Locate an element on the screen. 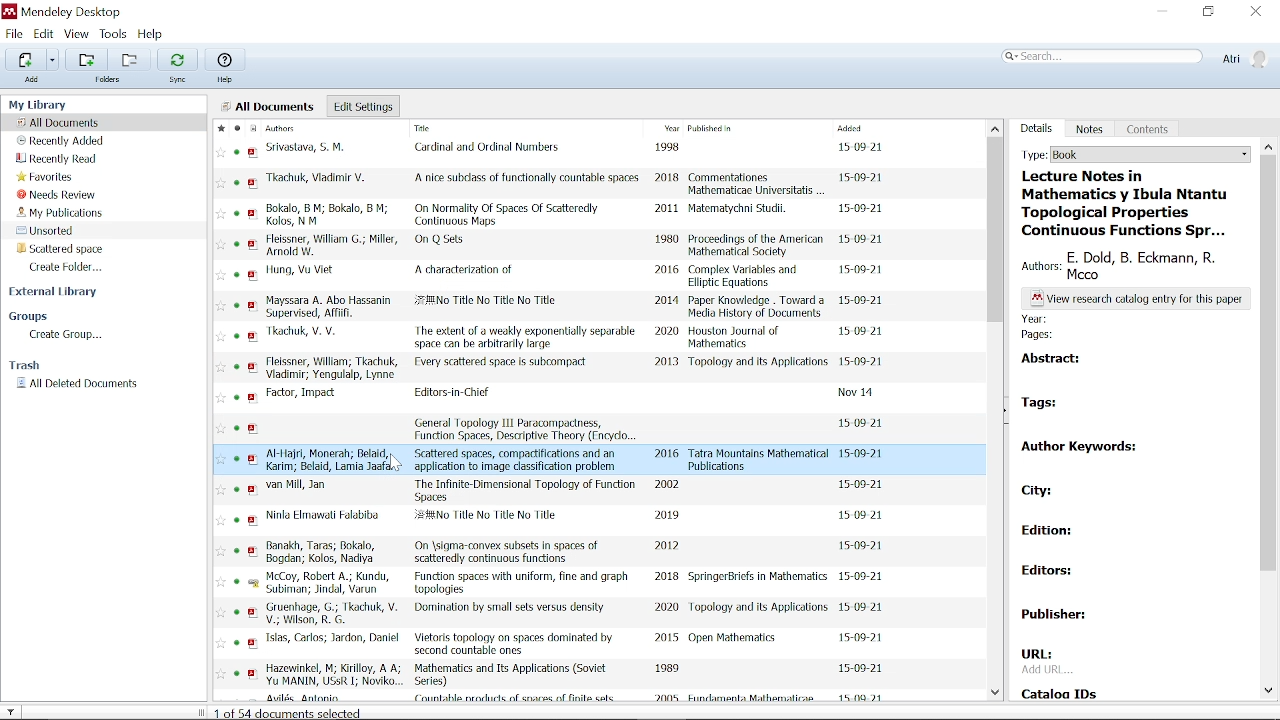  title is located at coordinates (454, 394).